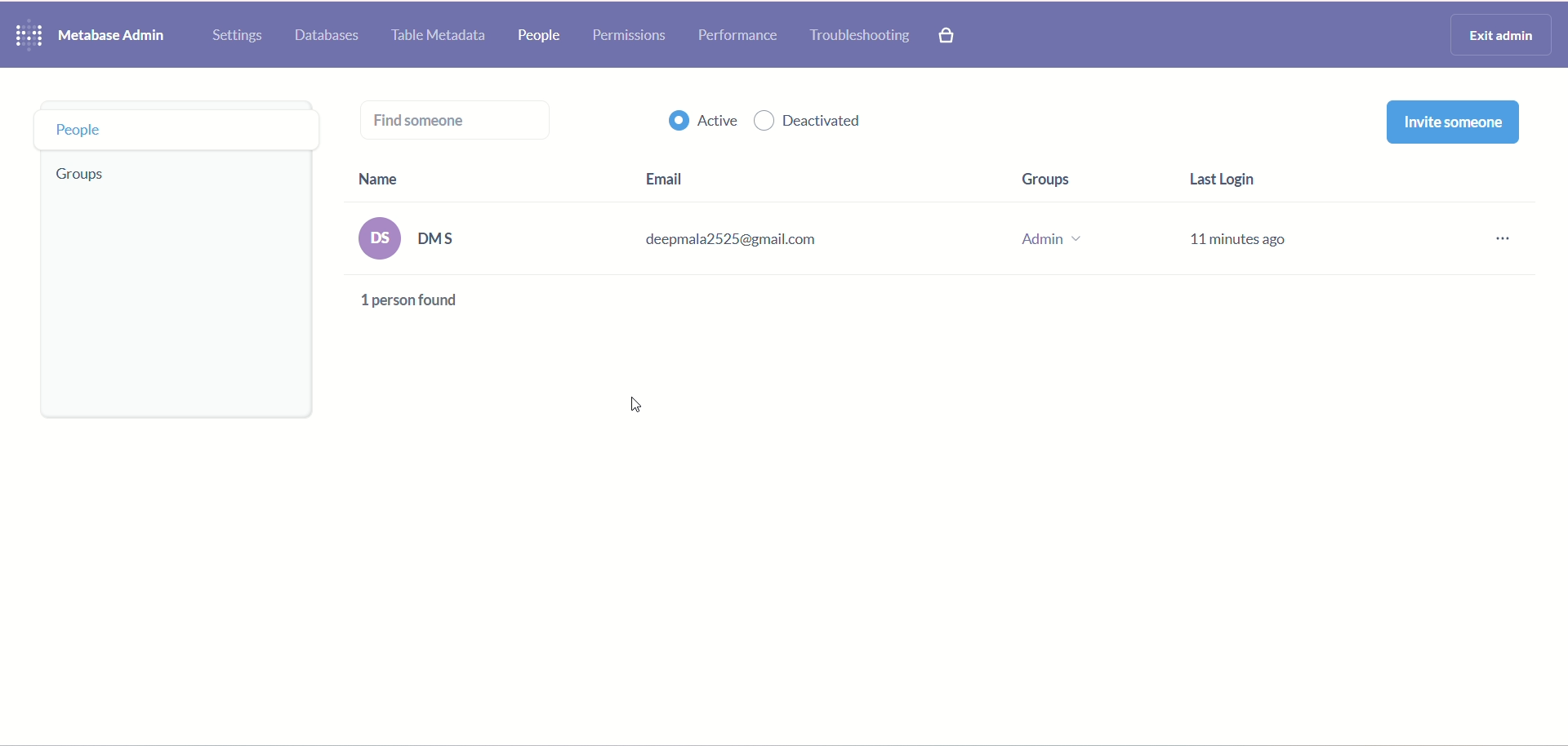 The height and width of the screenshot is (746, 1568). What do you see at coordinates (172, 127) in the screenshot?
I see `people` at bounding box center [172, 127].